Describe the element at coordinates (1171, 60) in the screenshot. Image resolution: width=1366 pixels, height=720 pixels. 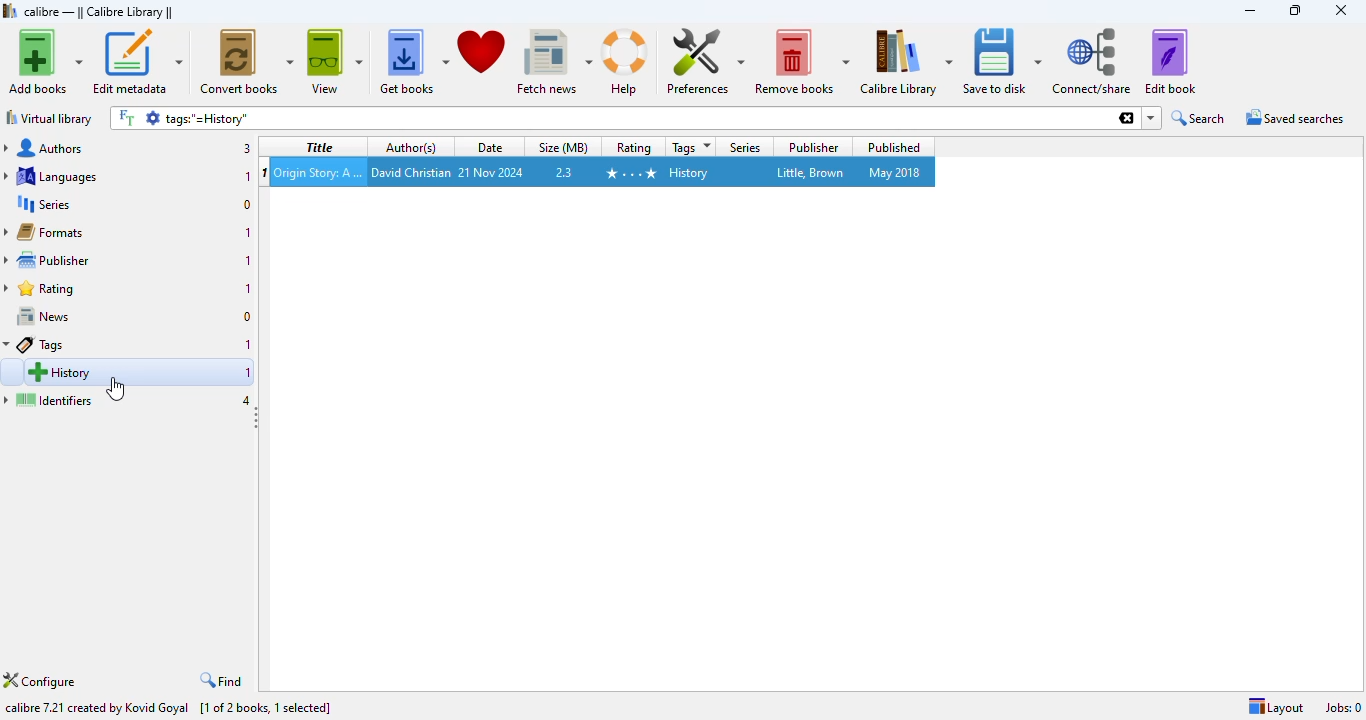
I see `edit book` at that location.